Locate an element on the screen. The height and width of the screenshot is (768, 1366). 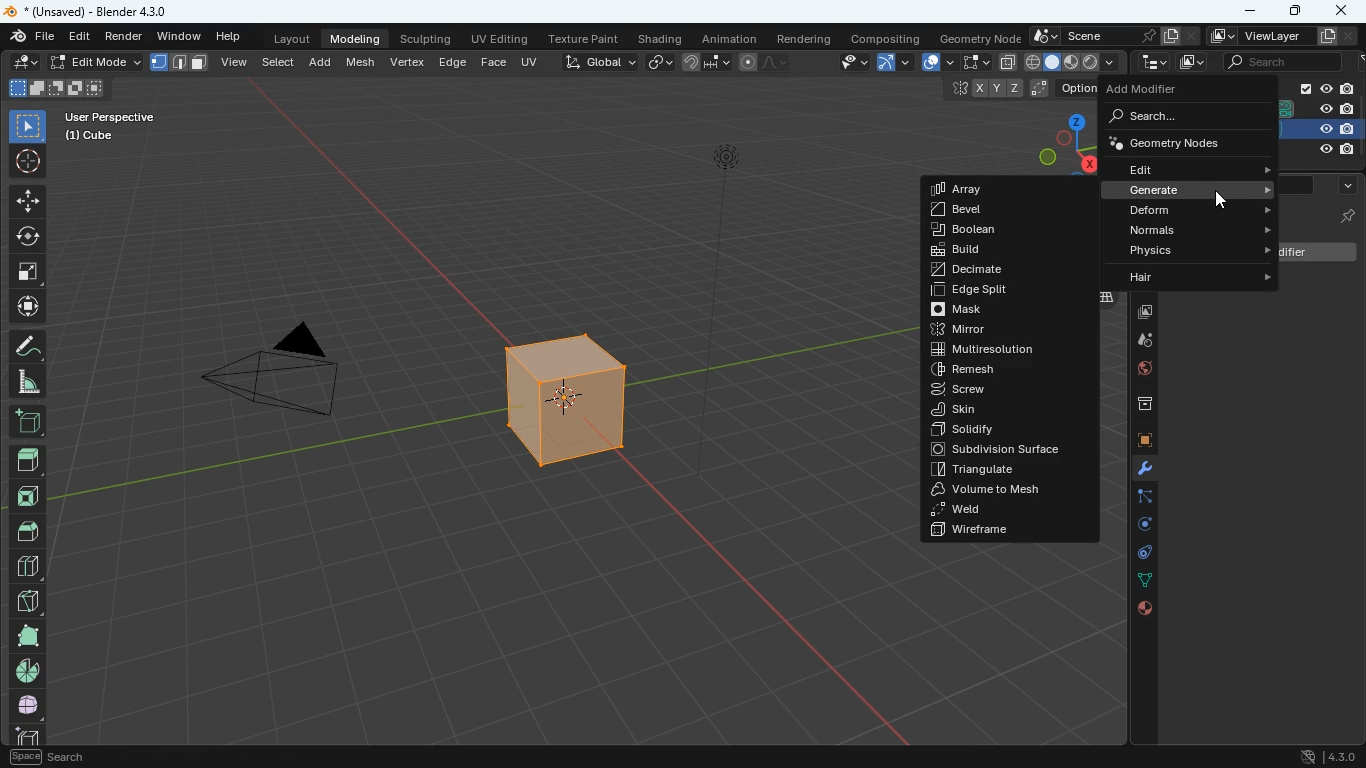
rendering is located at coordinates (807, 38).